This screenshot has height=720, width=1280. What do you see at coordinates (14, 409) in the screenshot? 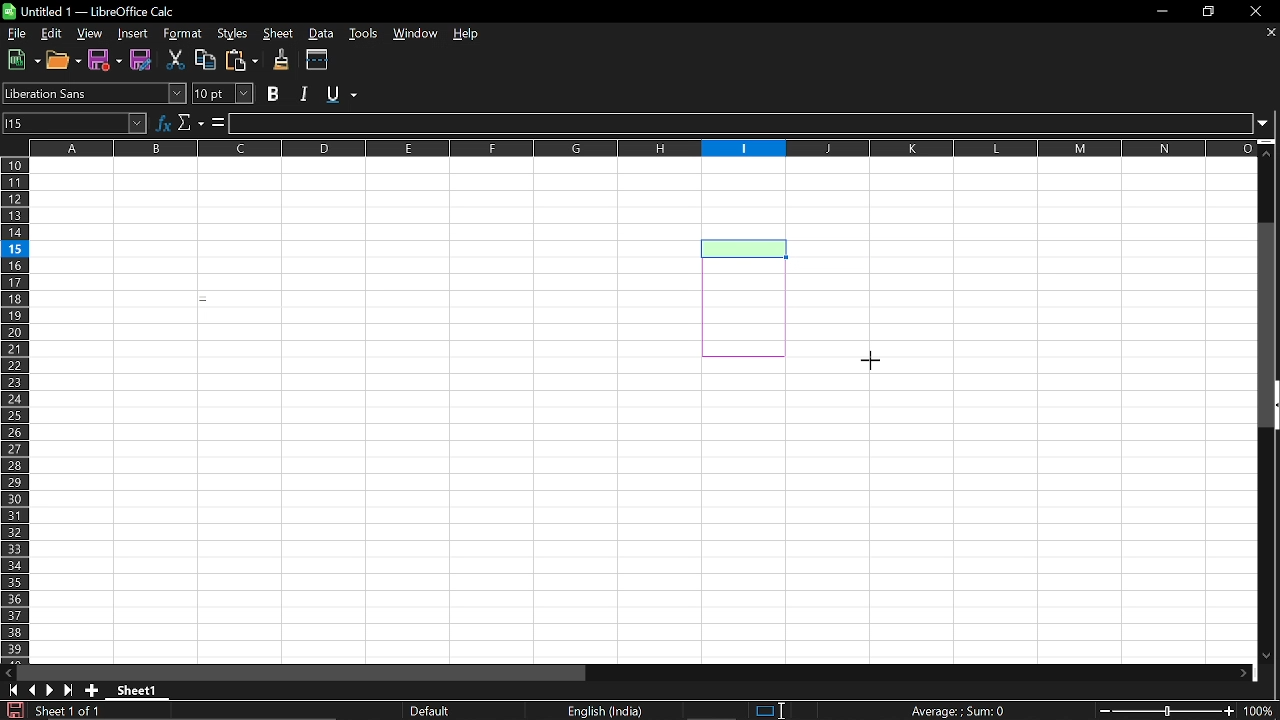
I see `Rows` at bounding box center [14, 409].